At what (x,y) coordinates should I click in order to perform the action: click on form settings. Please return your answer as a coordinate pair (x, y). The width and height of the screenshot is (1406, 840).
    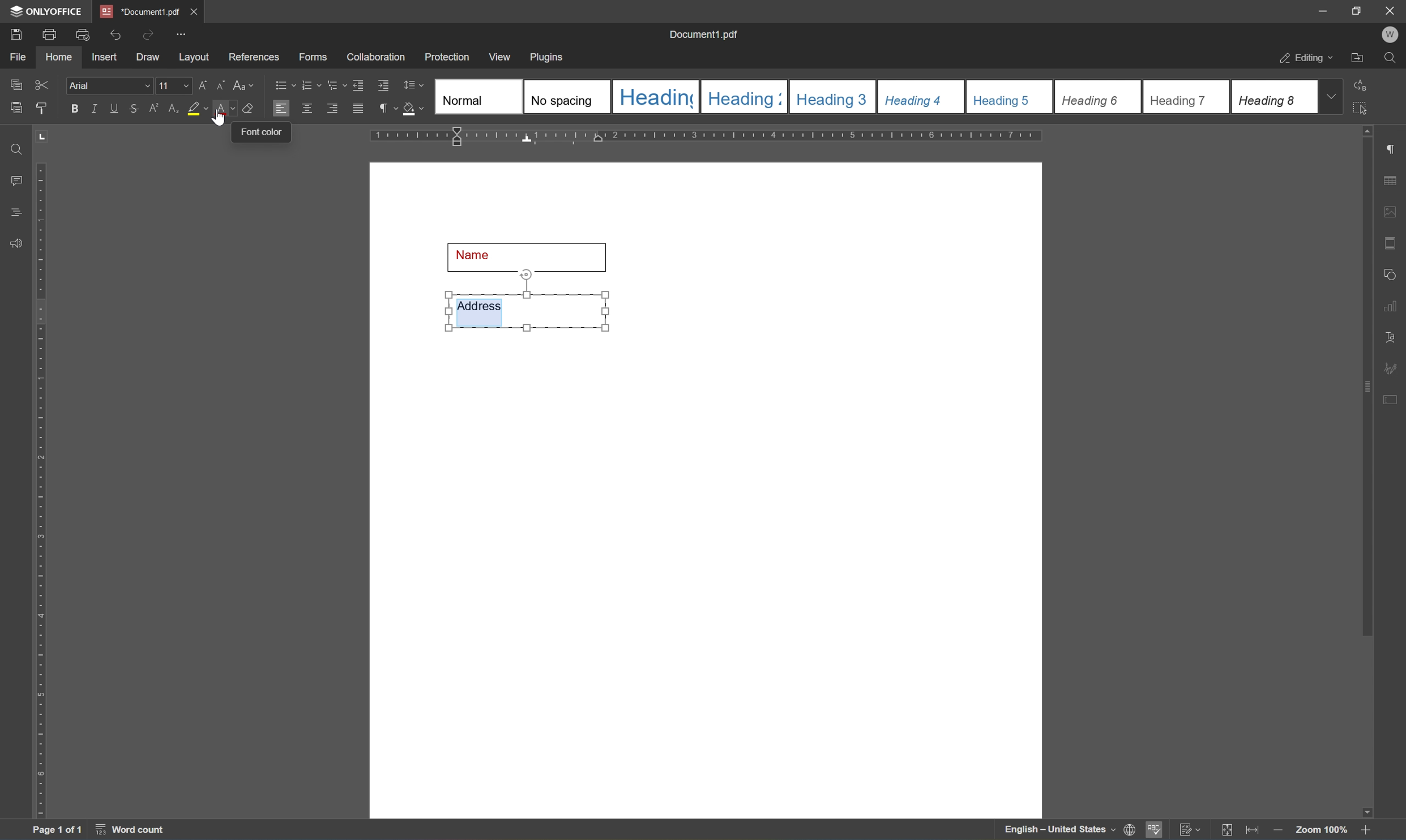
    Looking at the image, I should click on (1393, 399).